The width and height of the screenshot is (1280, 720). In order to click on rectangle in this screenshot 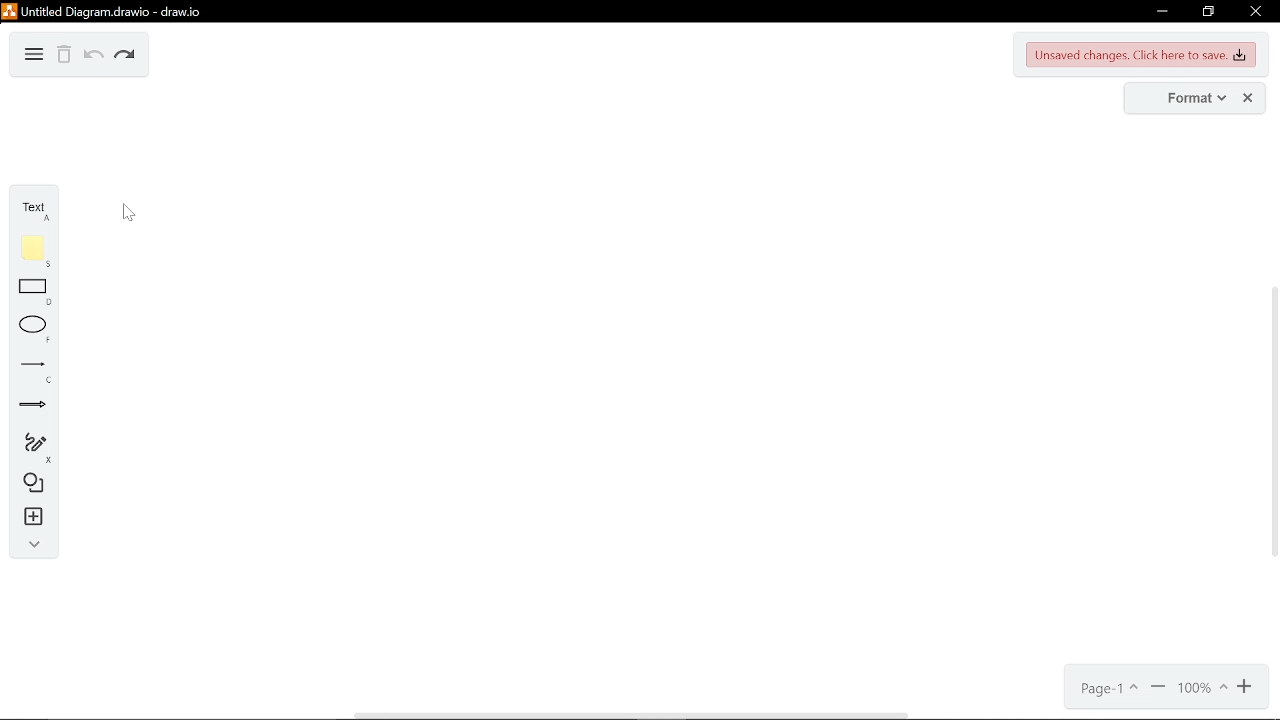, I will do `click(35, 294)`.